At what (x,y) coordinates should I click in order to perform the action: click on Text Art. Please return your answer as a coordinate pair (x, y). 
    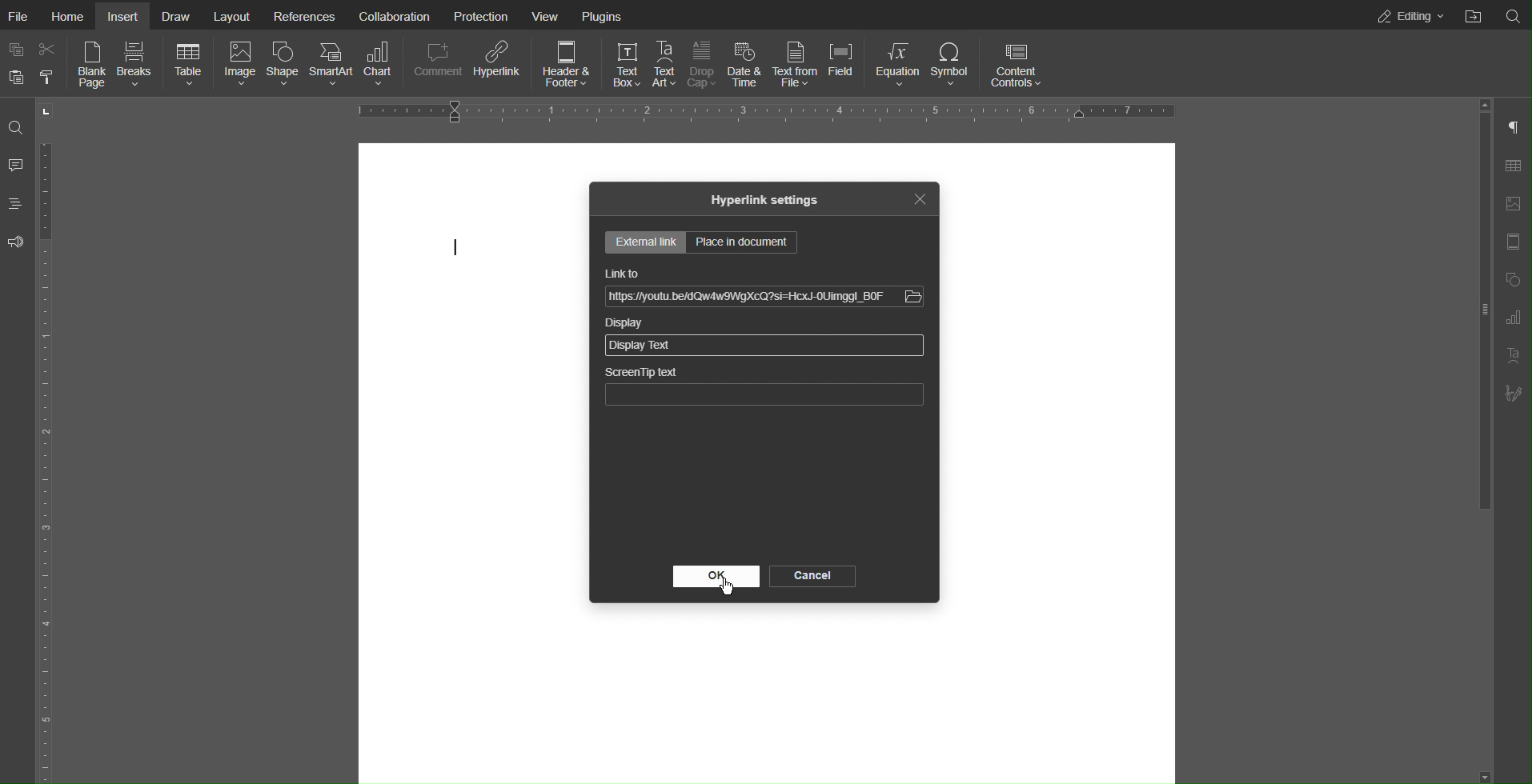
    Looking at the image, I should click on (666, 65).